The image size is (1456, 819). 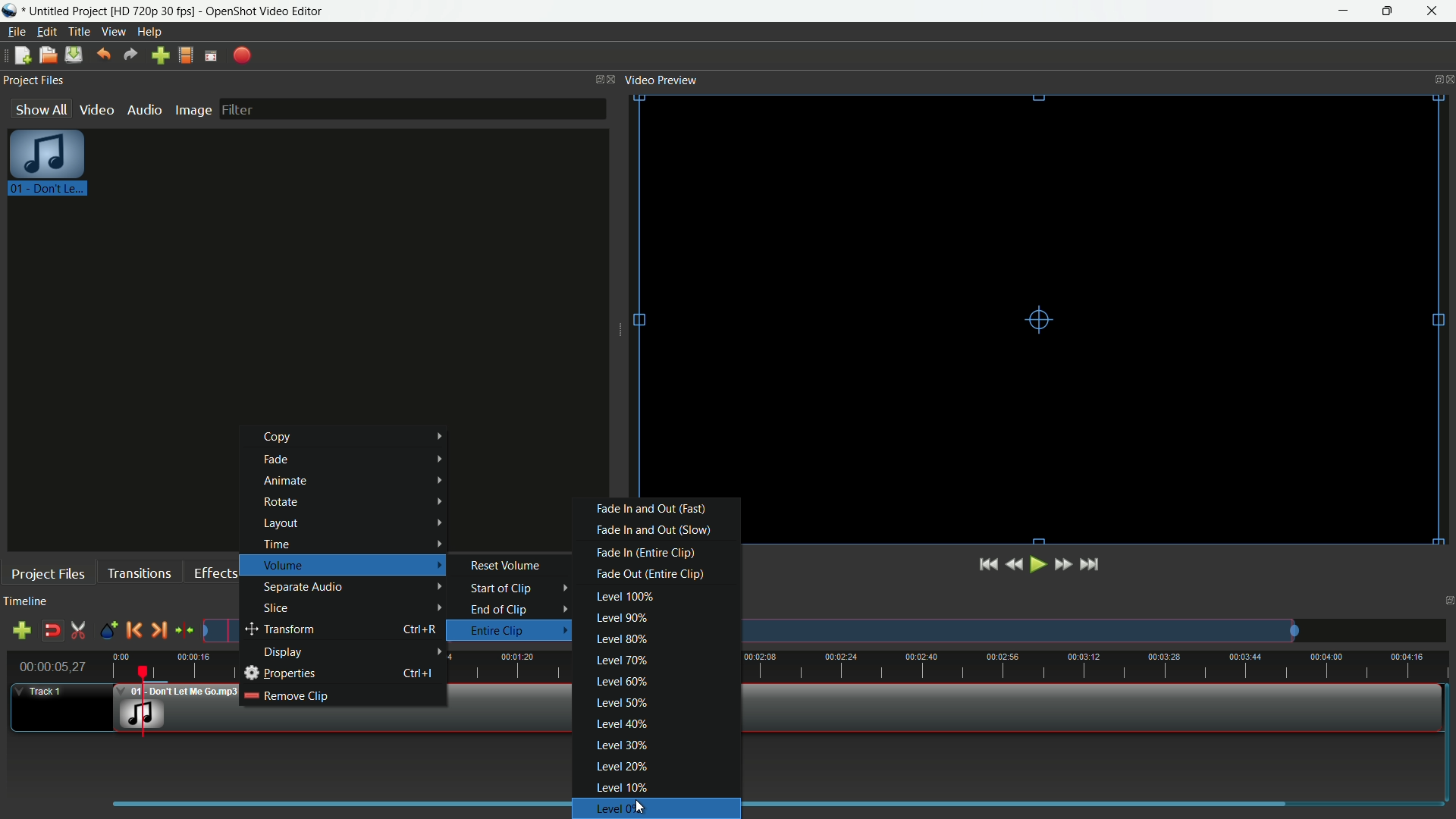 I want to click on current time, so click(x=52, y=667).